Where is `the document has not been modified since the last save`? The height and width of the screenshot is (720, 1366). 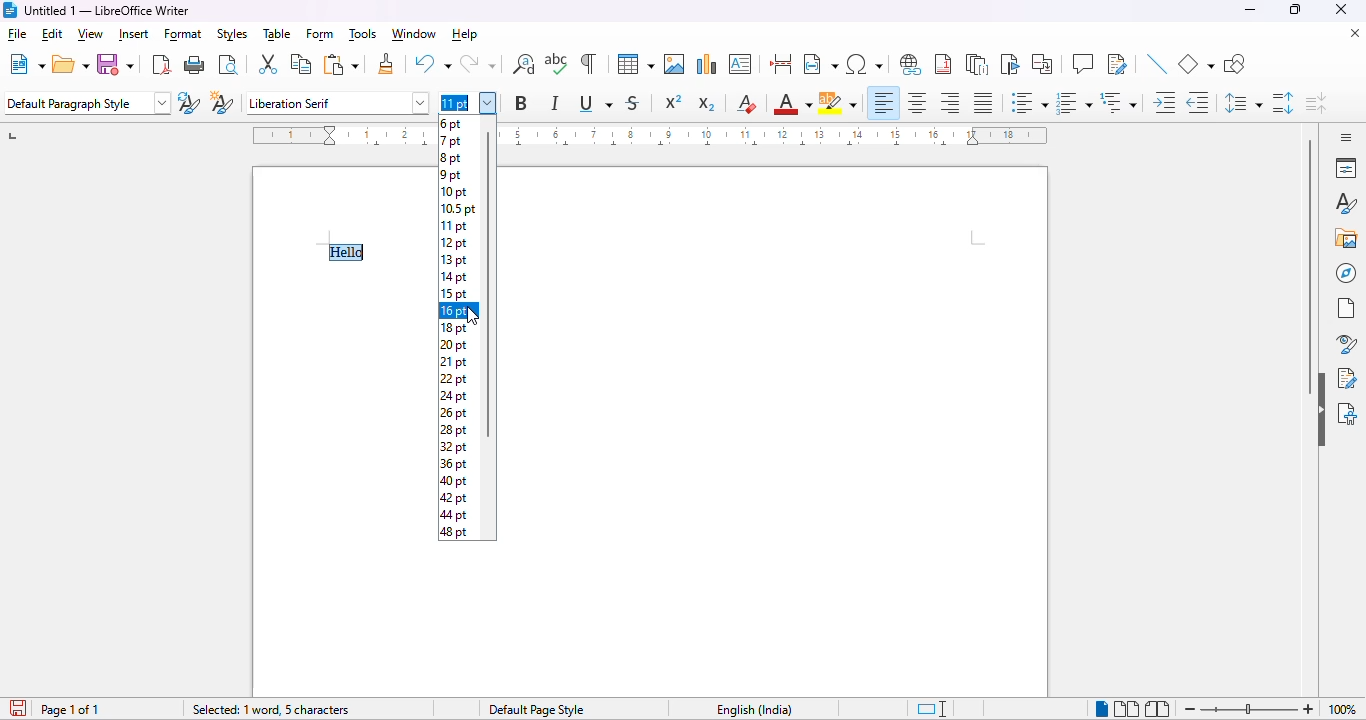
the document has not been modified since the last save is located at coordinates (16, 708).